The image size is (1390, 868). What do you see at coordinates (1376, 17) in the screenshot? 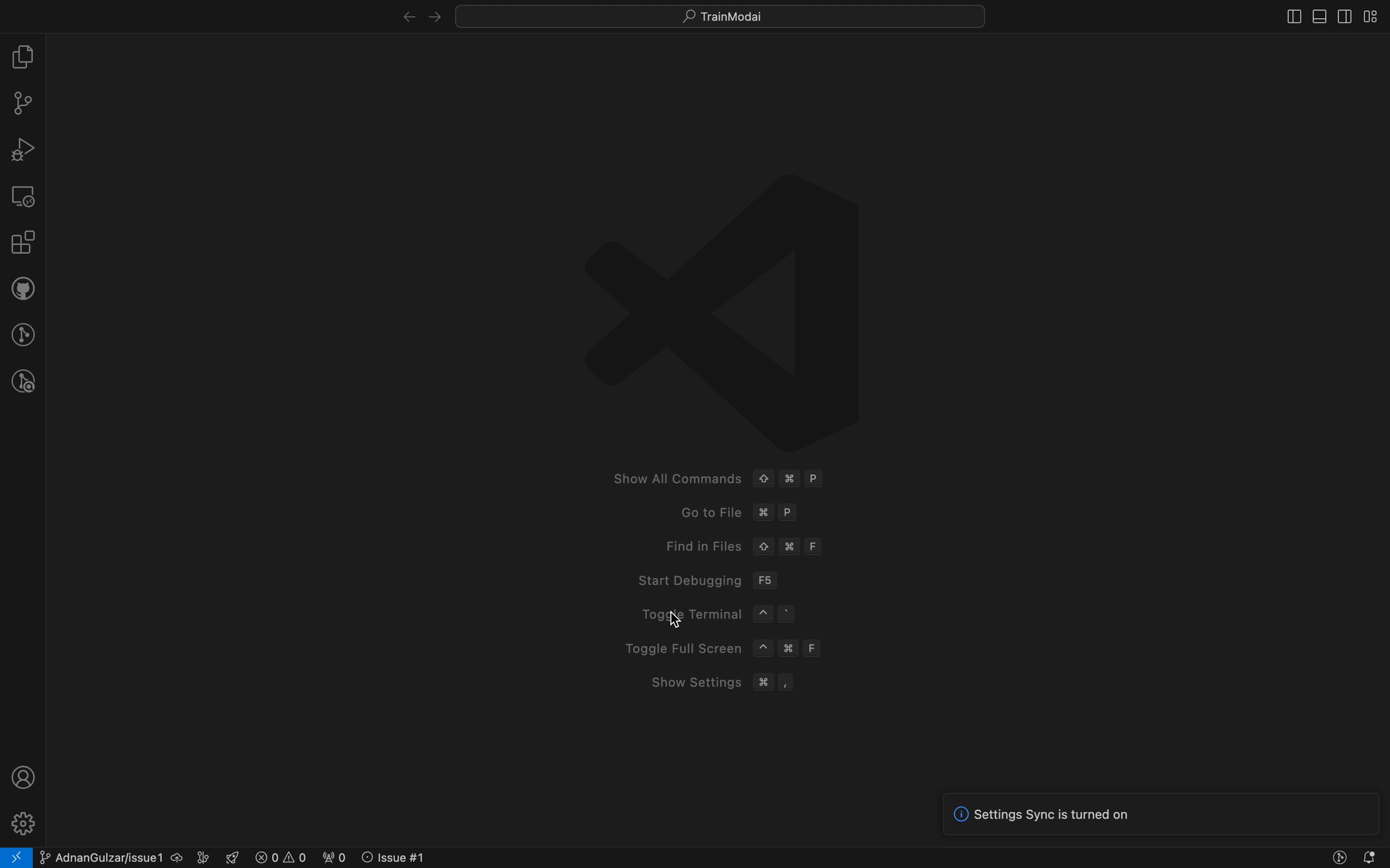
I see `layouts` at bounding box center [1376, 17].